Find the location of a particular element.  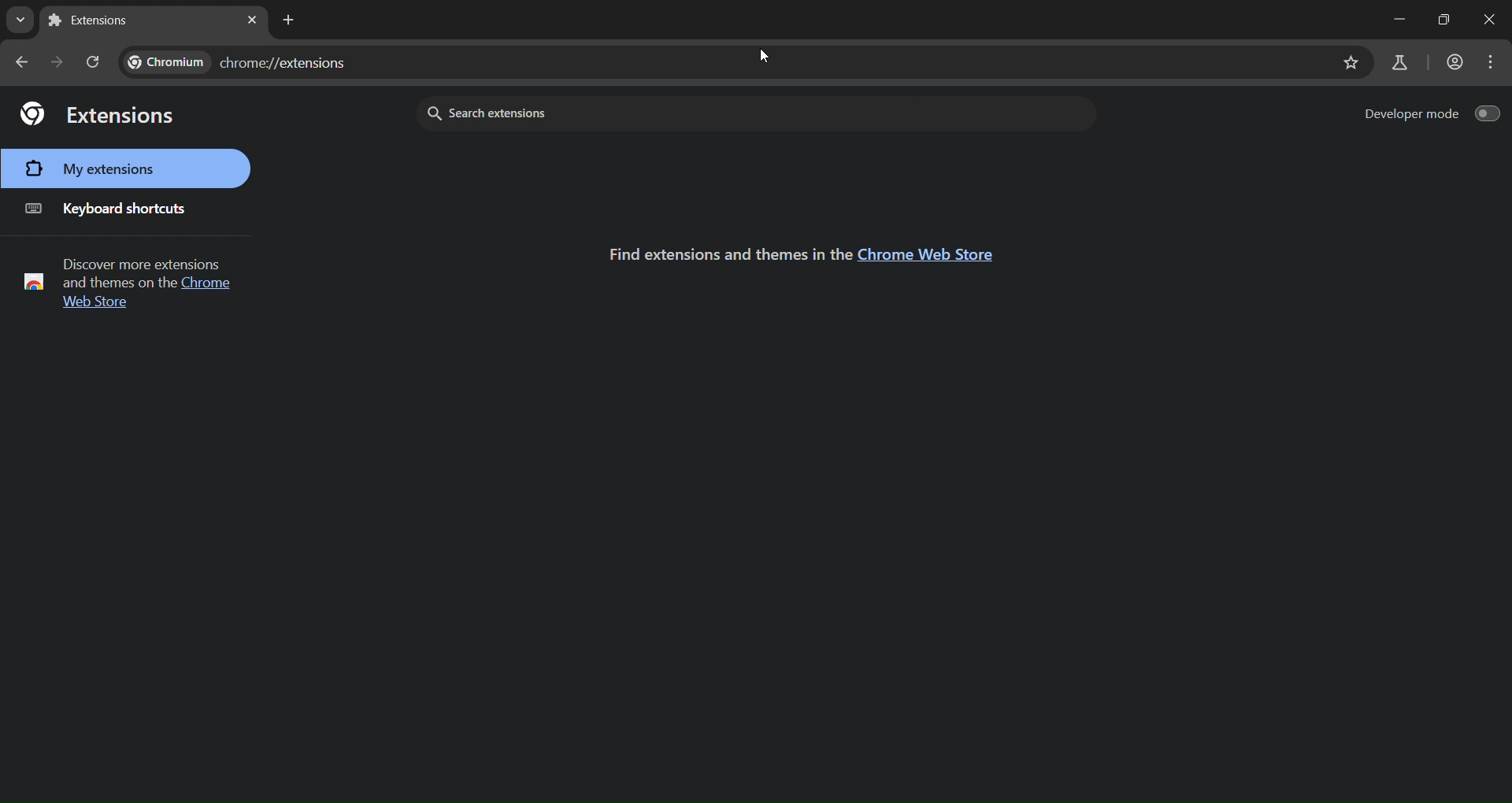

go back one page is located at coordinates (24, 61).